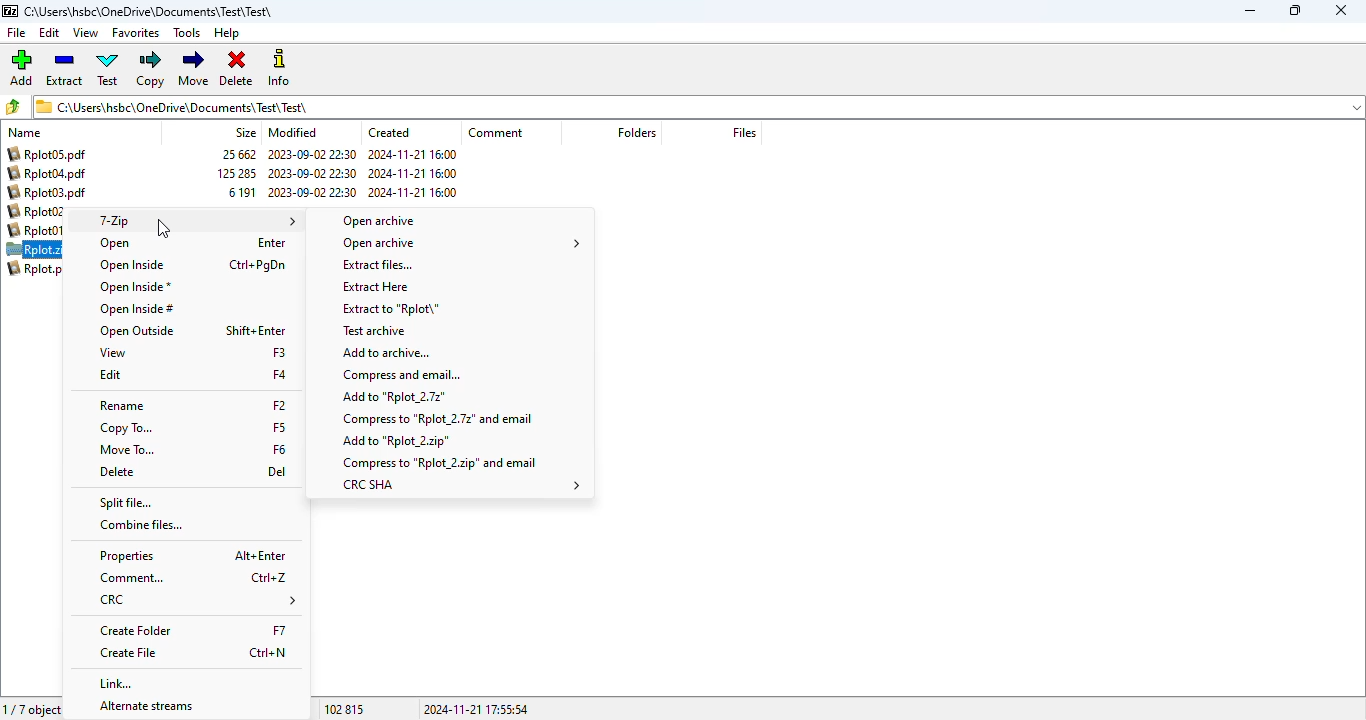  I want to click on move to, so click(126, 449).